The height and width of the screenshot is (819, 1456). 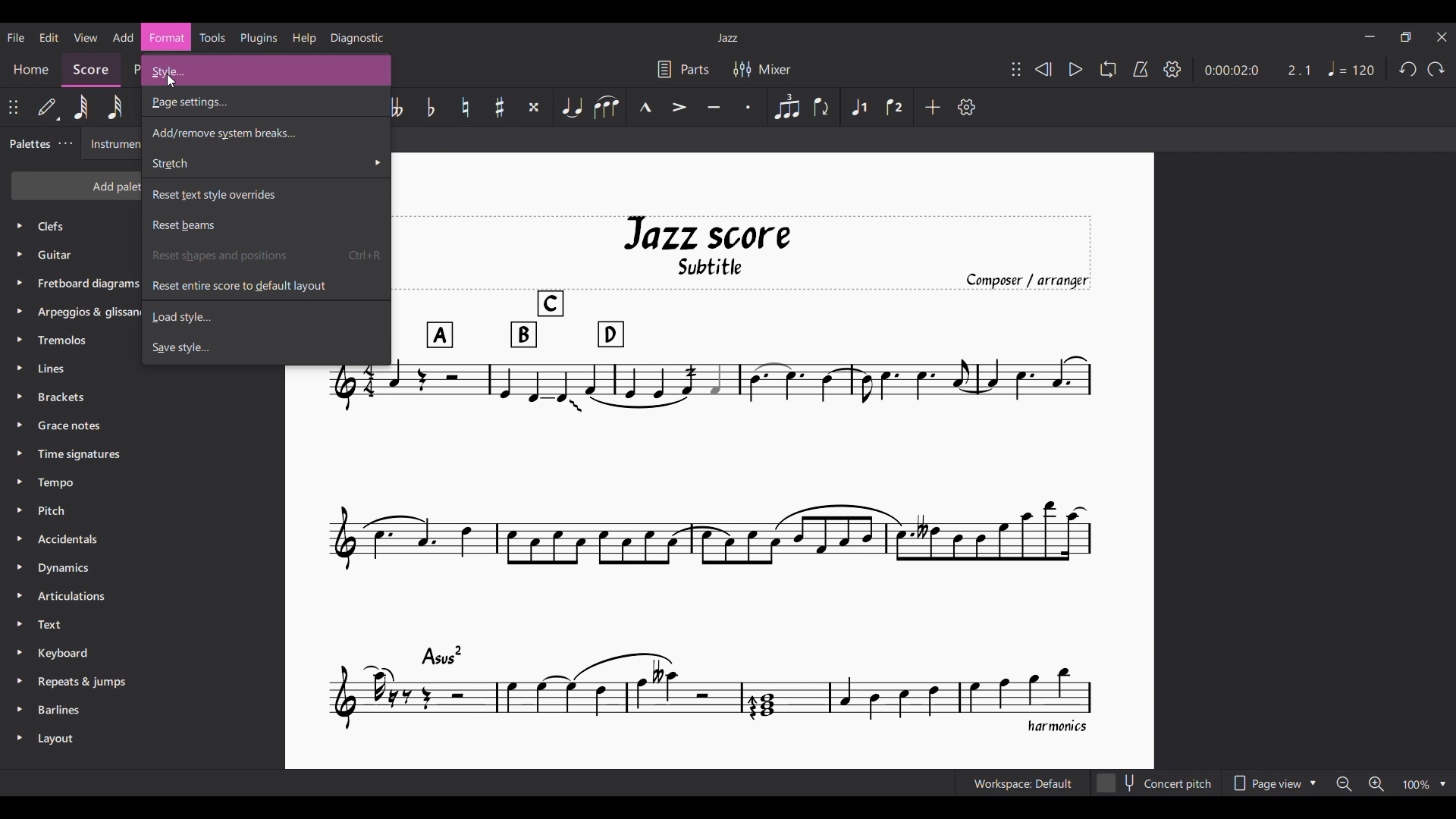 What do you see at coordinates (680, 106) in the screenshot?
I see `Accent` at bounding box center [680, 106].